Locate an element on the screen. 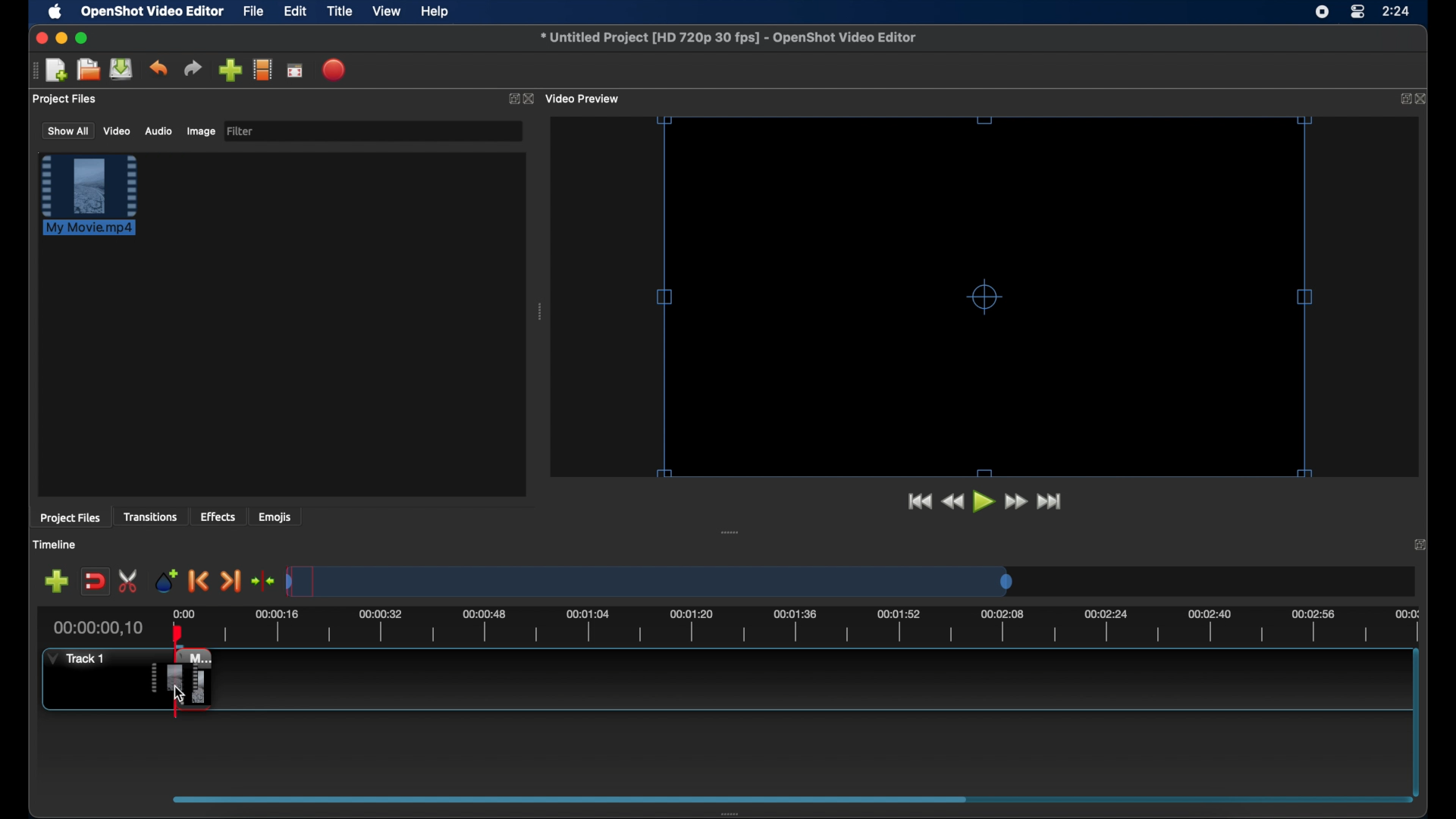  disable snapping is located at coordinates (96, 582).